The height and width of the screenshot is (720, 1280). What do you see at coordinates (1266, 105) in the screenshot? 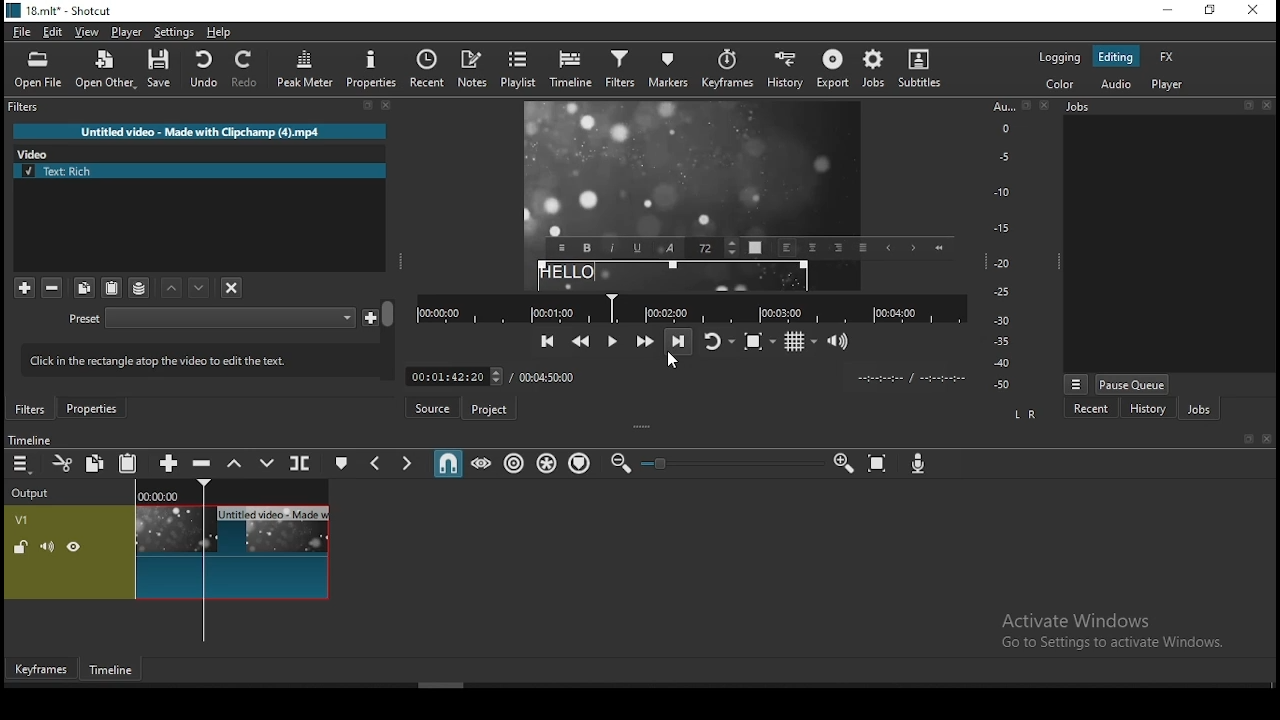
I see `Close` at bounding box center [1266, 105].